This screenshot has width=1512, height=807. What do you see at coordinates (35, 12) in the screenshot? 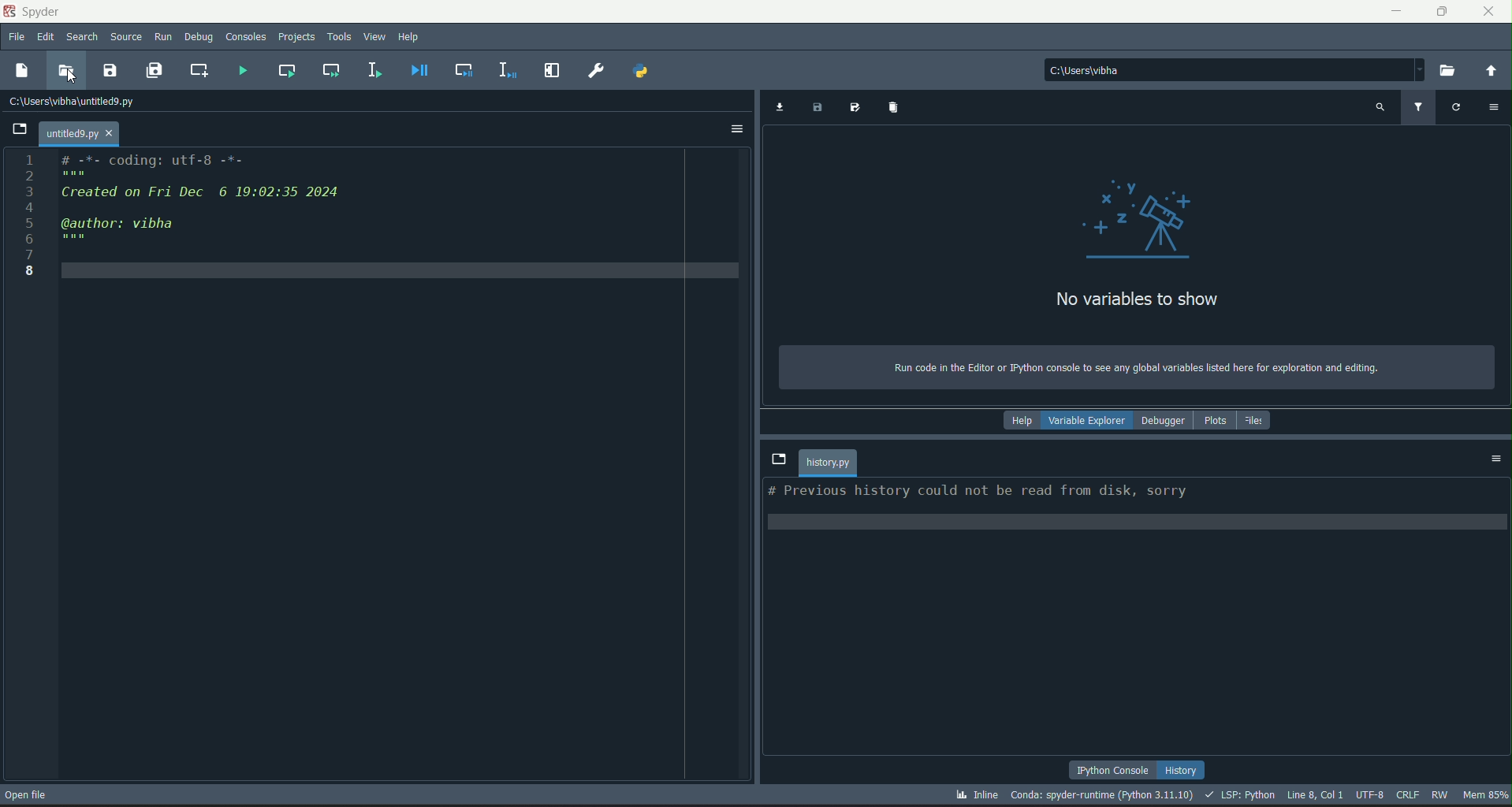
I see `logo and title` at bounding box center [35, 12].